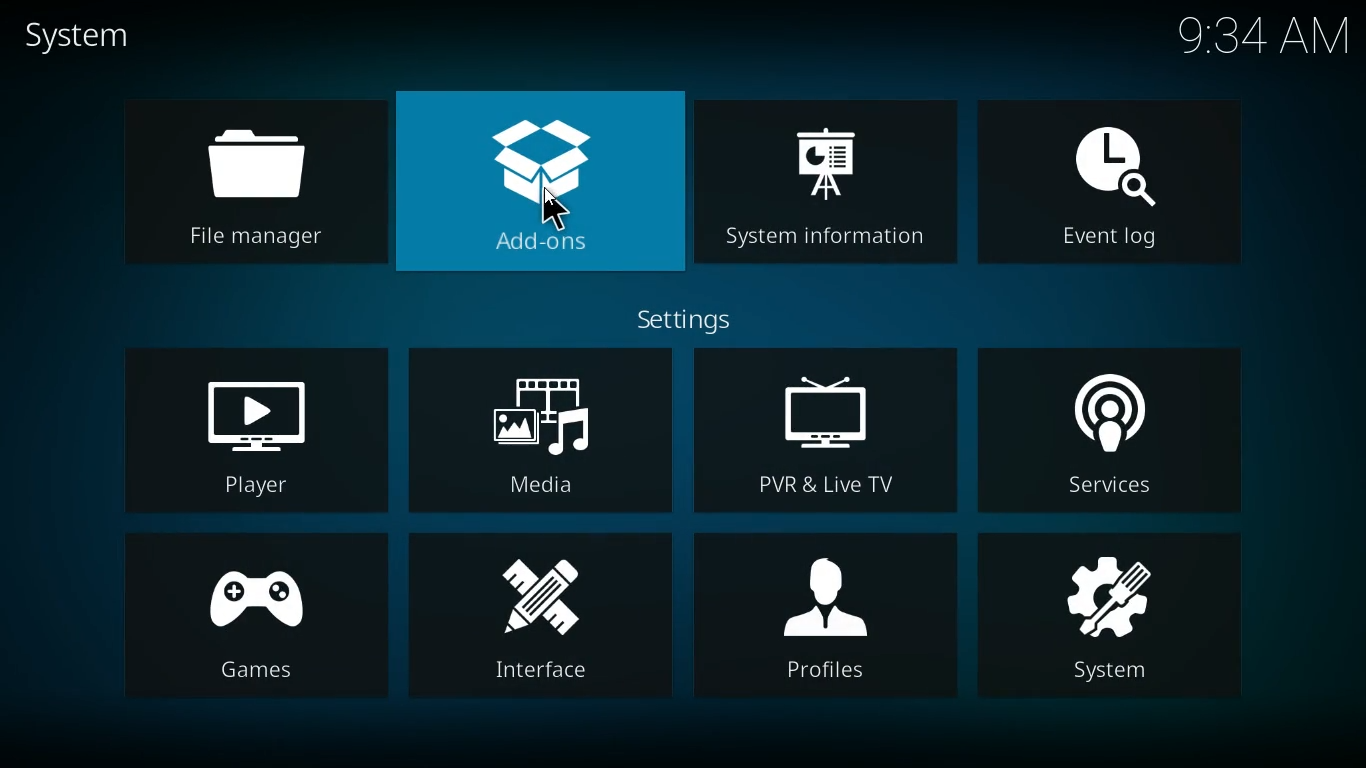  What do you see at coordinates (827, 615) in the screenshot?
I see `profiles` at bounding box center [827, 615].